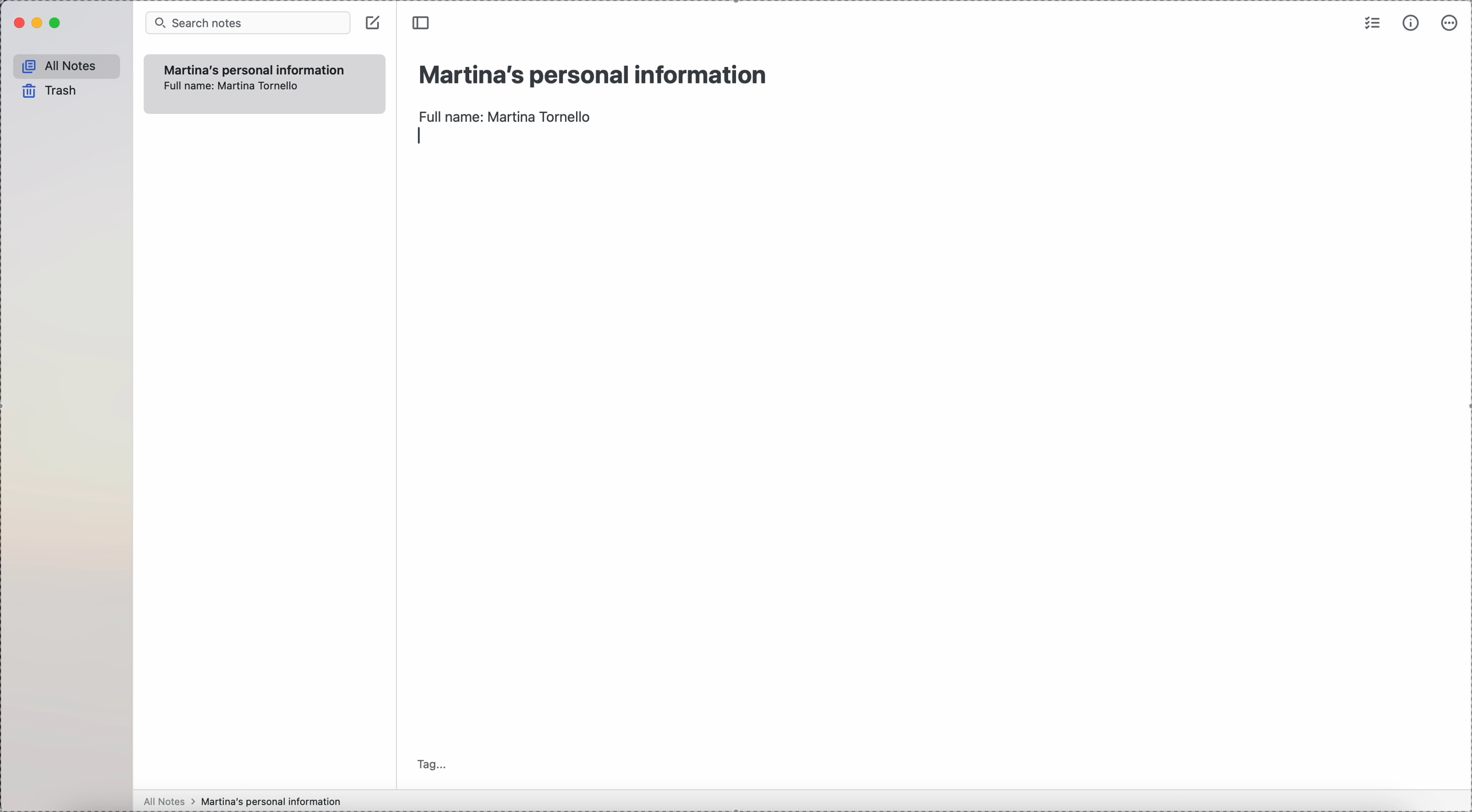  What do you see at coordinates (1448, 24) in the screenshot?
I see `more options` at bounding box center [1448, 24].